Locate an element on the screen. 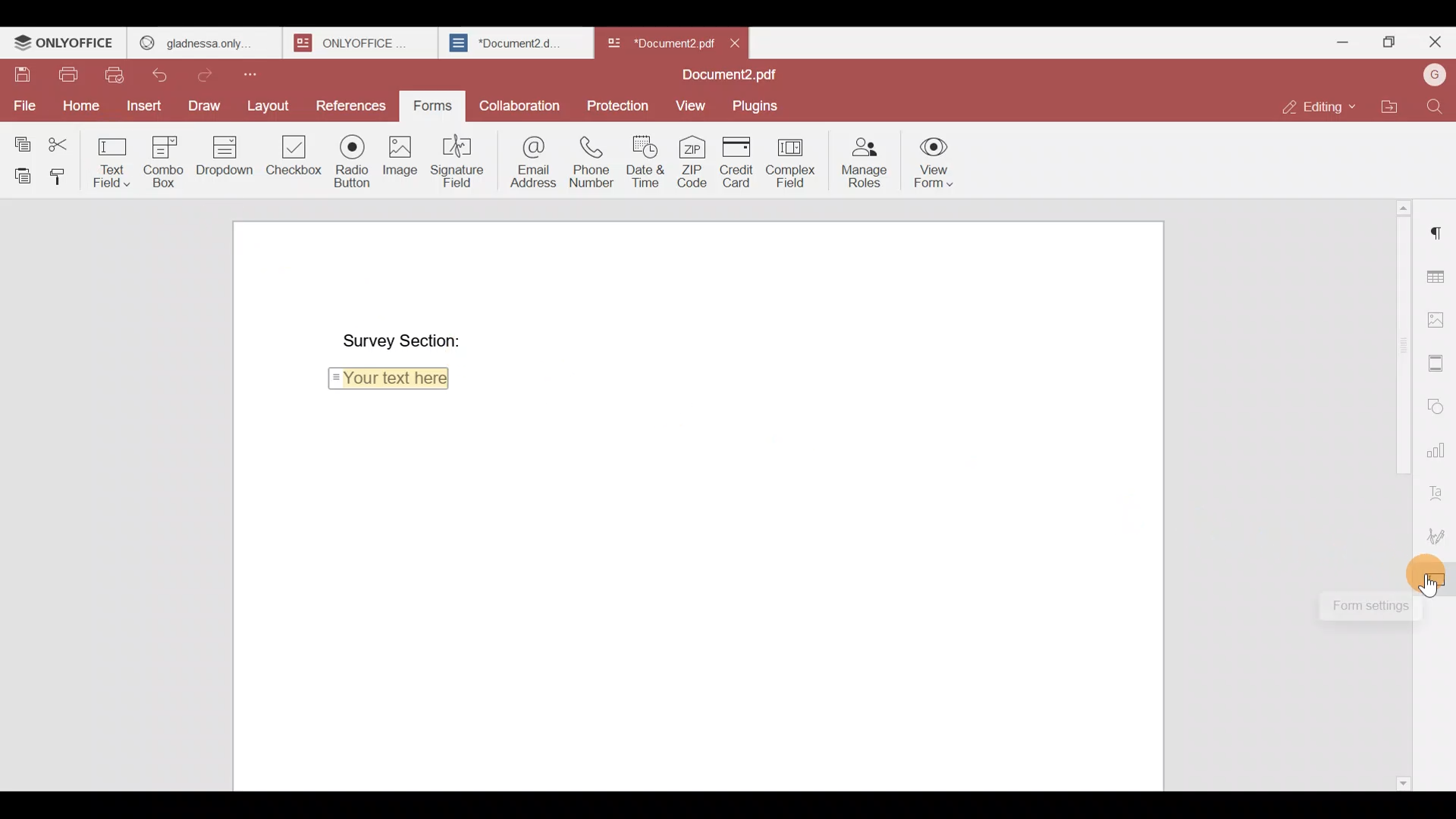 The image size is (1456, 819). Dropdown is located at coordinates (221, 158).